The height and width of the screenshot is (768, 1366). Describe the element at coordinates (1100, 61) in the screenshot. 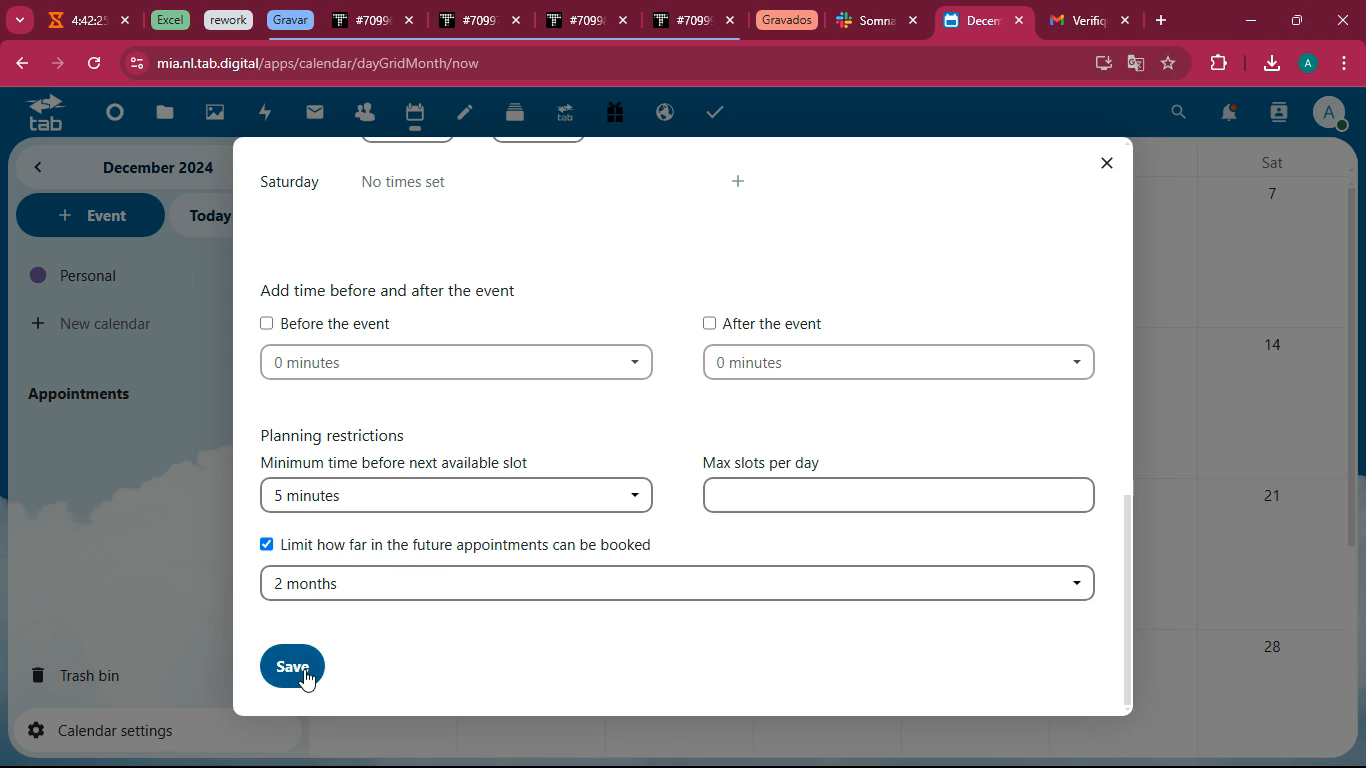

I see `desktop` at that location.